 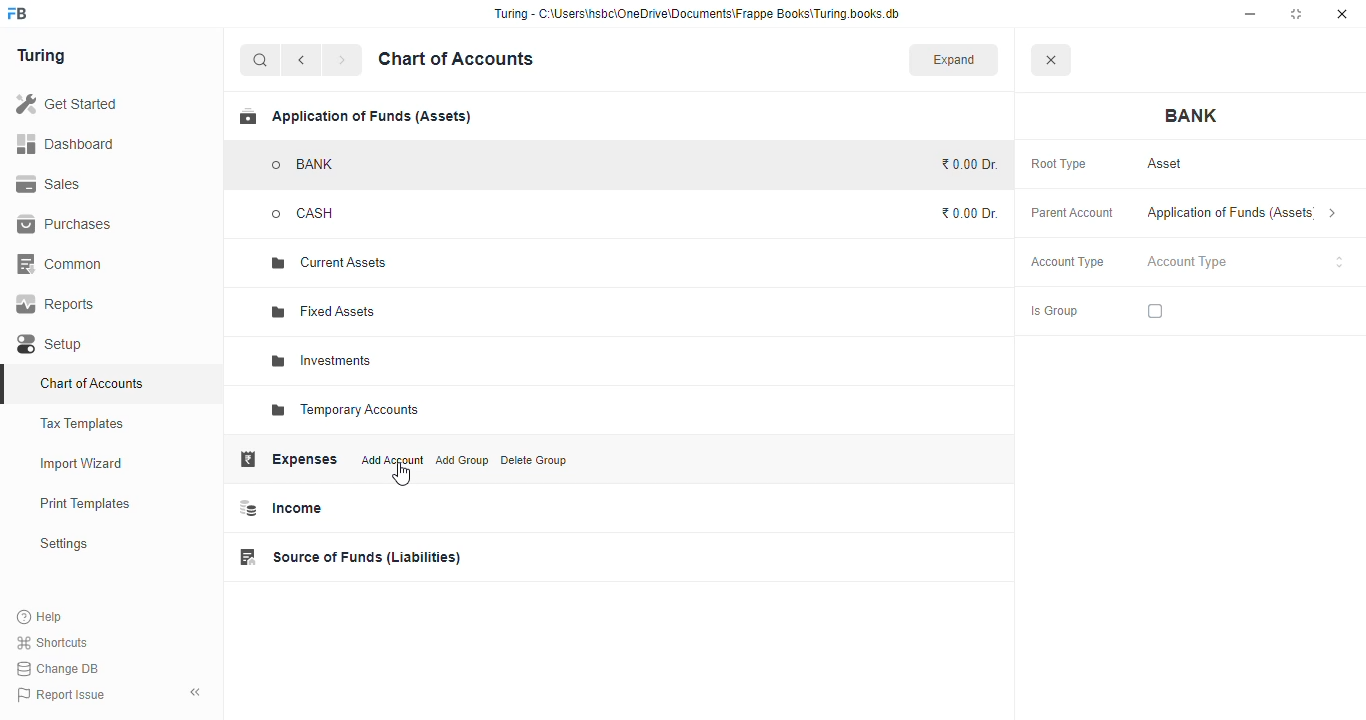 I want to click on ₹0.00 Dr., so click(x=969, y=164).